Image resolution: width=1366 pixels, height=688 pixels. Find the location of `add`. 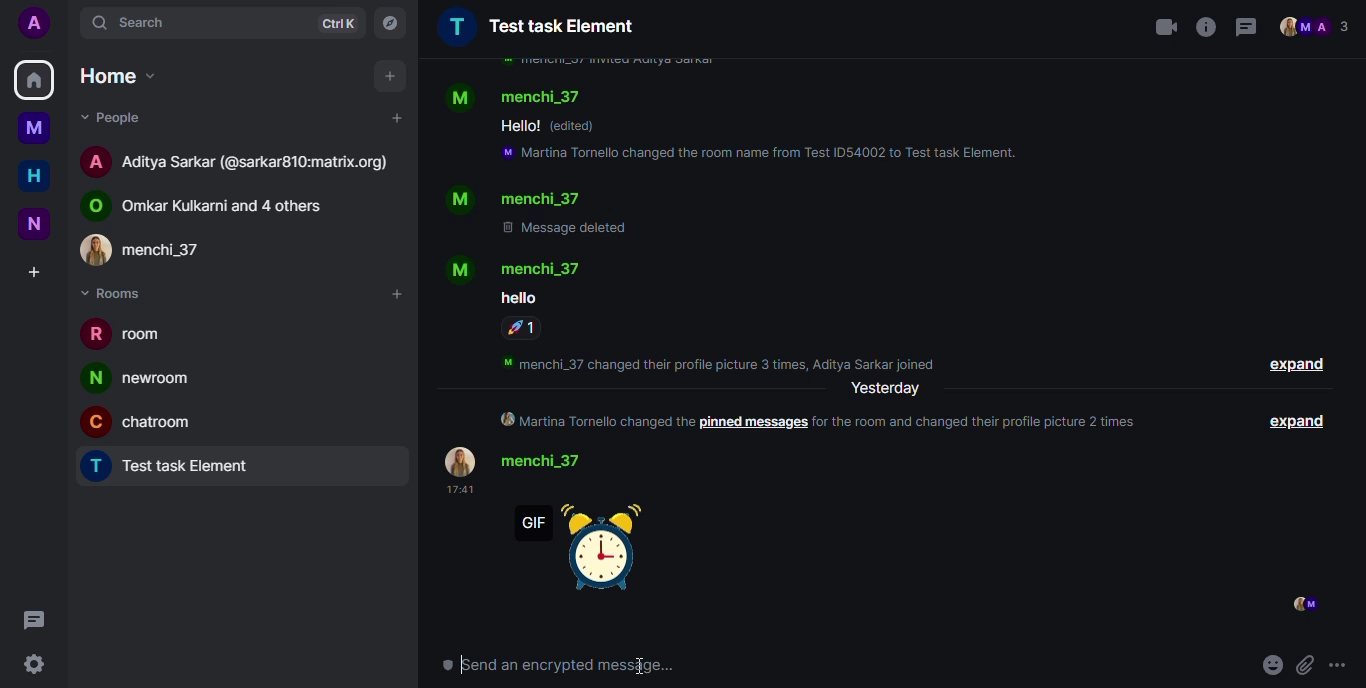

add is located at coordinates (395, 118).